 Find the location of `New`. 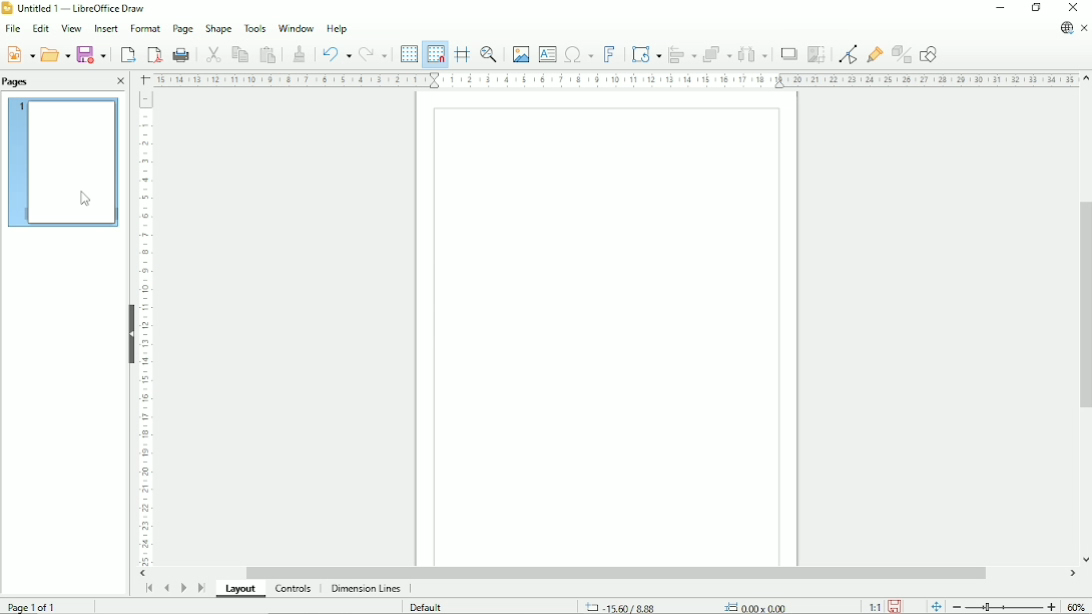

New is located at coordinates (19, 53).